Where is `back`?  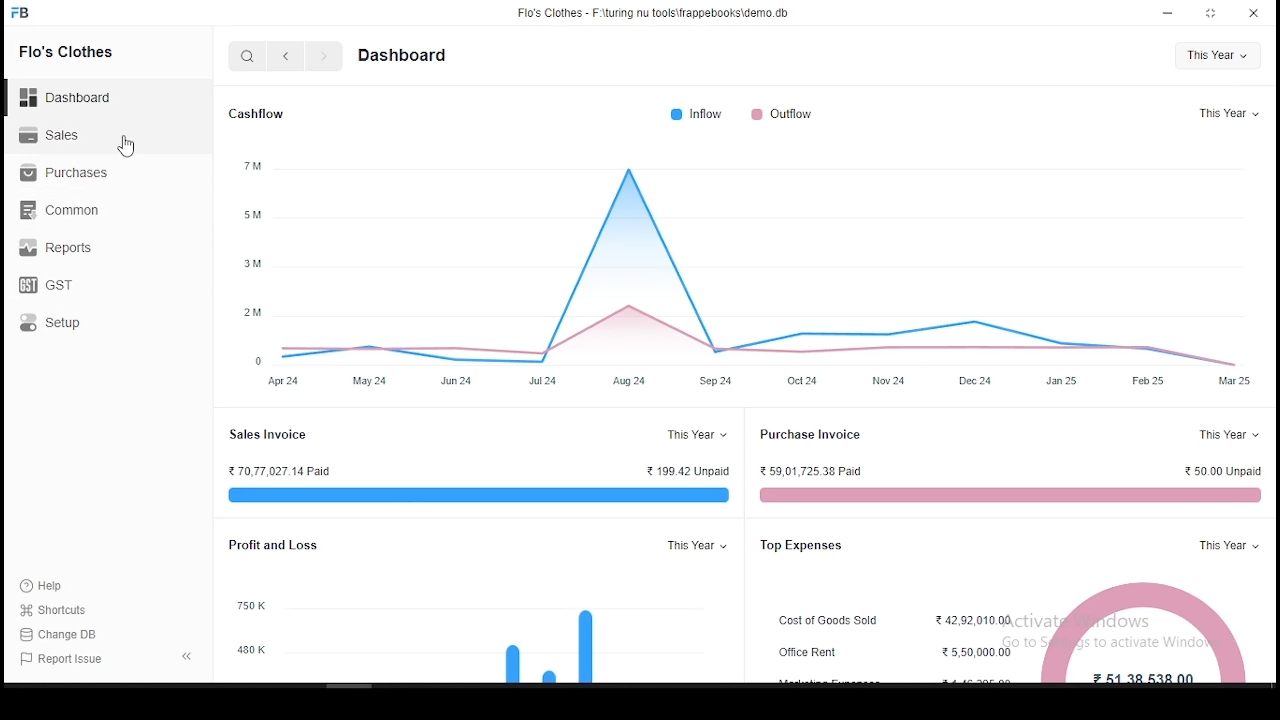 back is located at coordinates (283, 55).